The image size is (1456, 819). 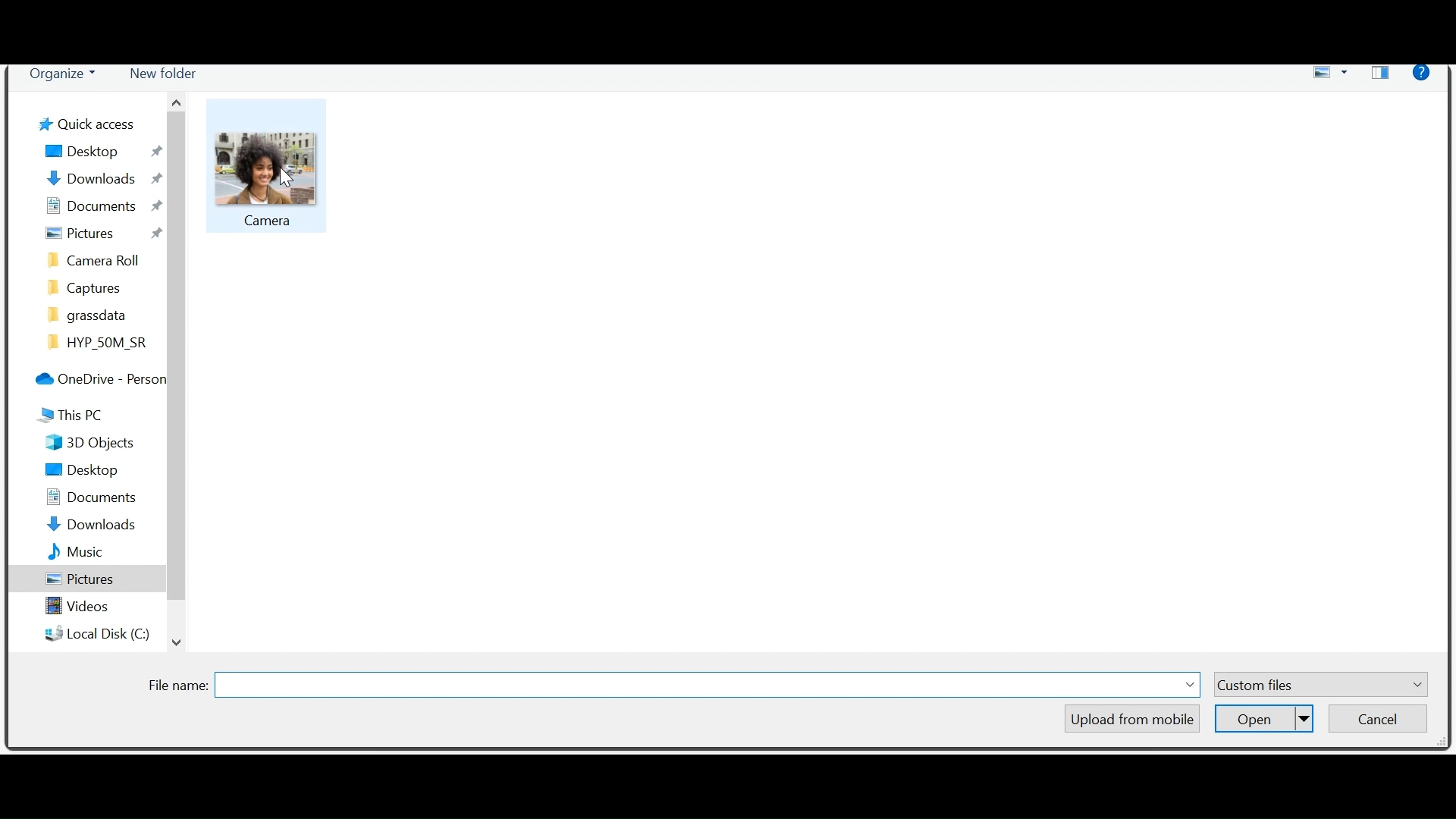 What do you see at coordinates (85, 415) in the screenshot?
I see `This Pc` at bounding box center [85, 415].